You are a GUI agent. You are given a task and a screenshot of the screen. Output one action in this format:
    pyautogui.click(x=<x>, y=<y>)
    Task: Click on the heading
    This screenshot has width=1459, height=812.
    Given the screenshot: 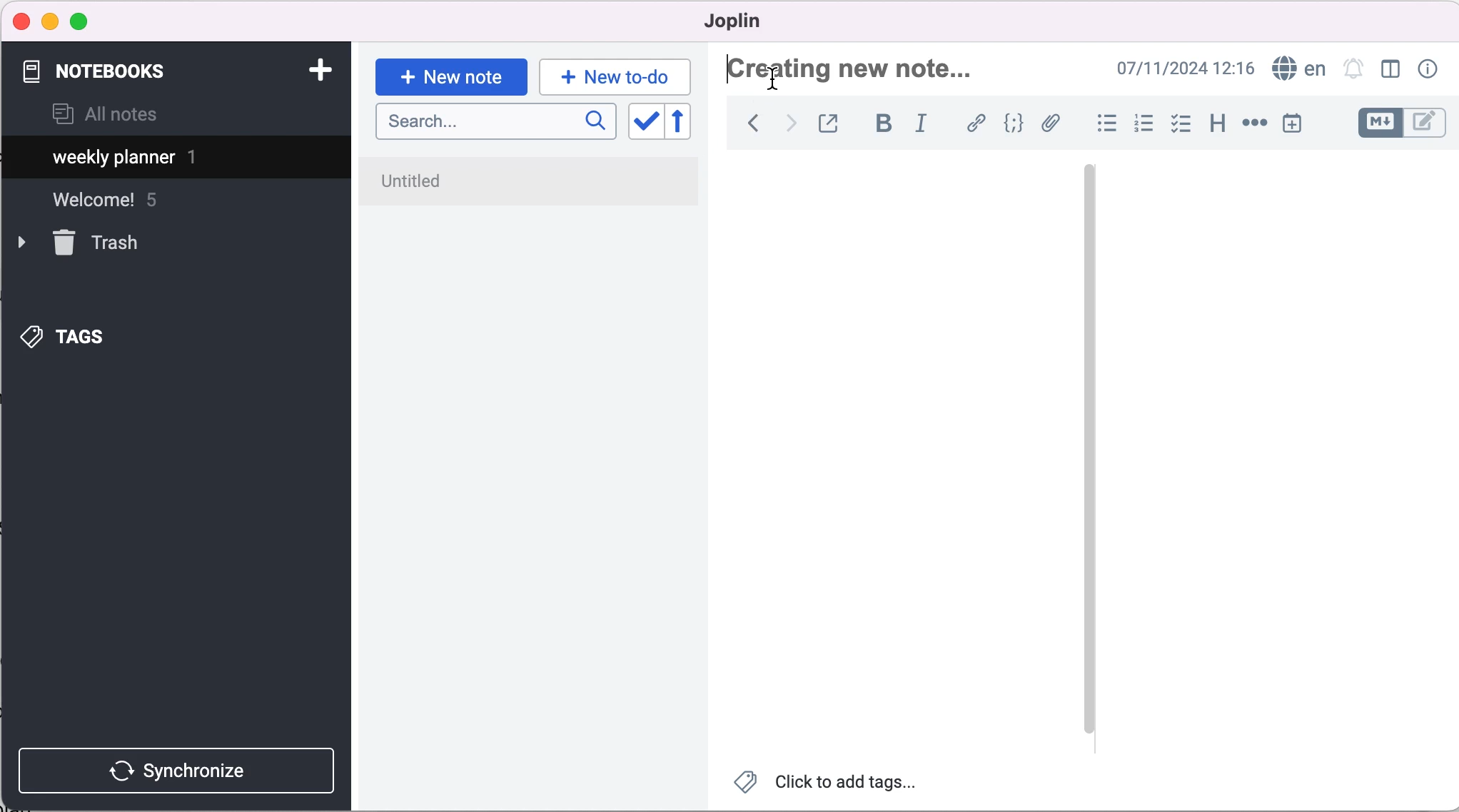 What is the action you would take?
    pyautogui.click(x=1216, y=121)
    